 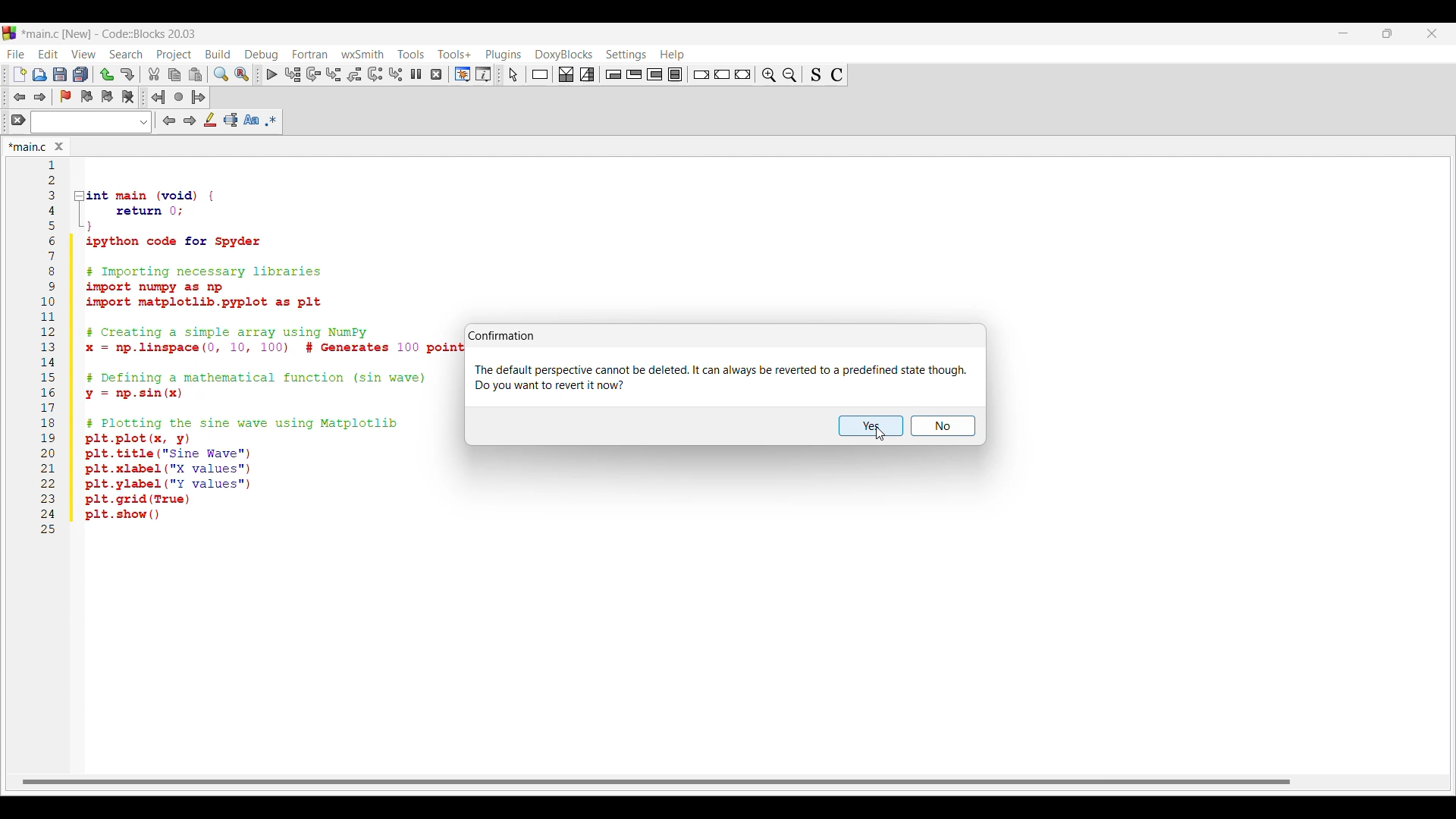 I want to click on Close interface, so click(x=1432, y=33).